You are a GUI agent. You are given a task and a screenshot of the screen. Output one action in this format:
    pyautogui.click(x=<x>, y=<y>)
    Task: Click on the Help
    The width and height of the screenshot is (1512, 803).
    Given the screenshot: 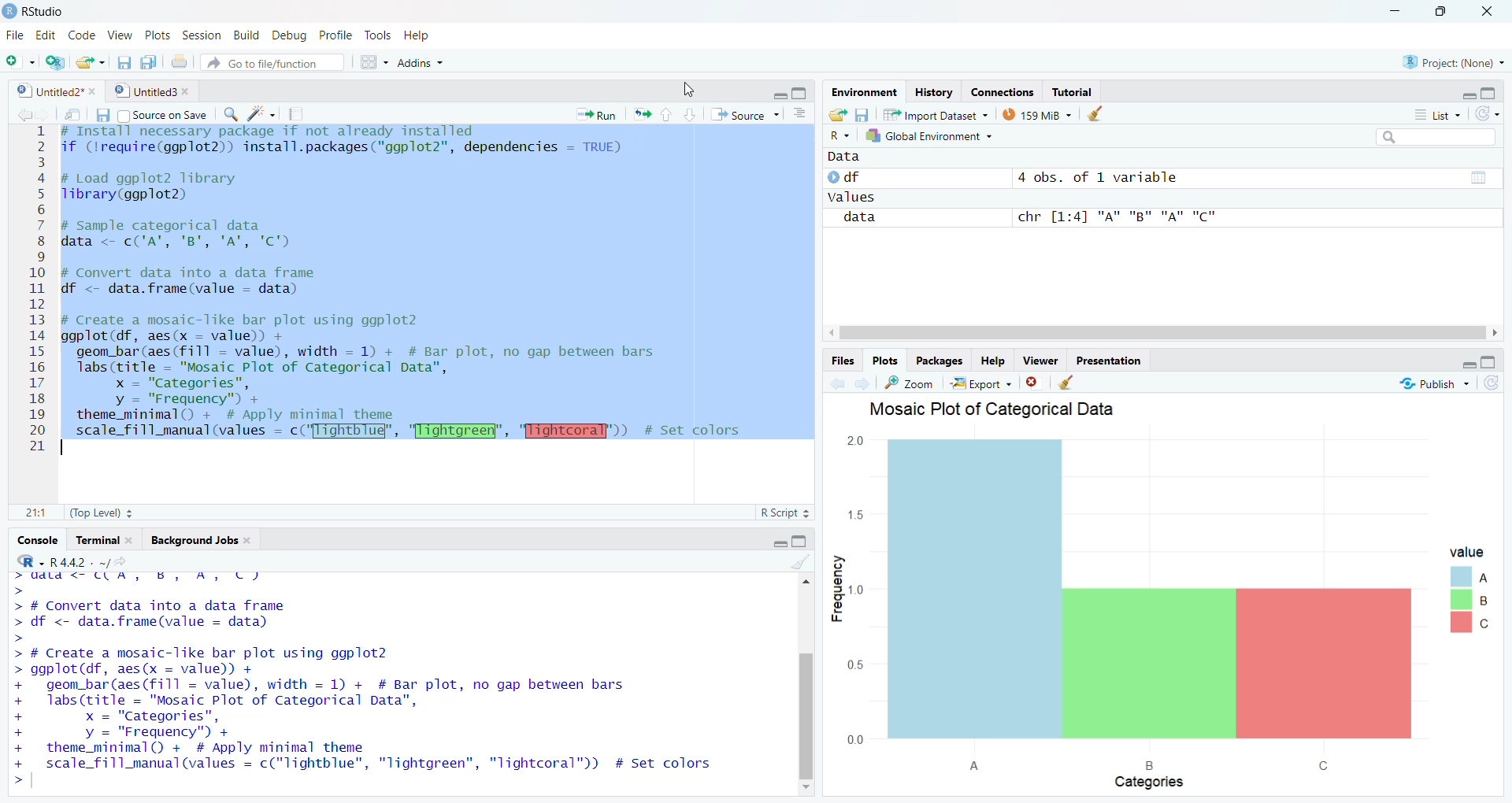 What is the action you would take?
    pyautogui.click(x=418, y=35)
    